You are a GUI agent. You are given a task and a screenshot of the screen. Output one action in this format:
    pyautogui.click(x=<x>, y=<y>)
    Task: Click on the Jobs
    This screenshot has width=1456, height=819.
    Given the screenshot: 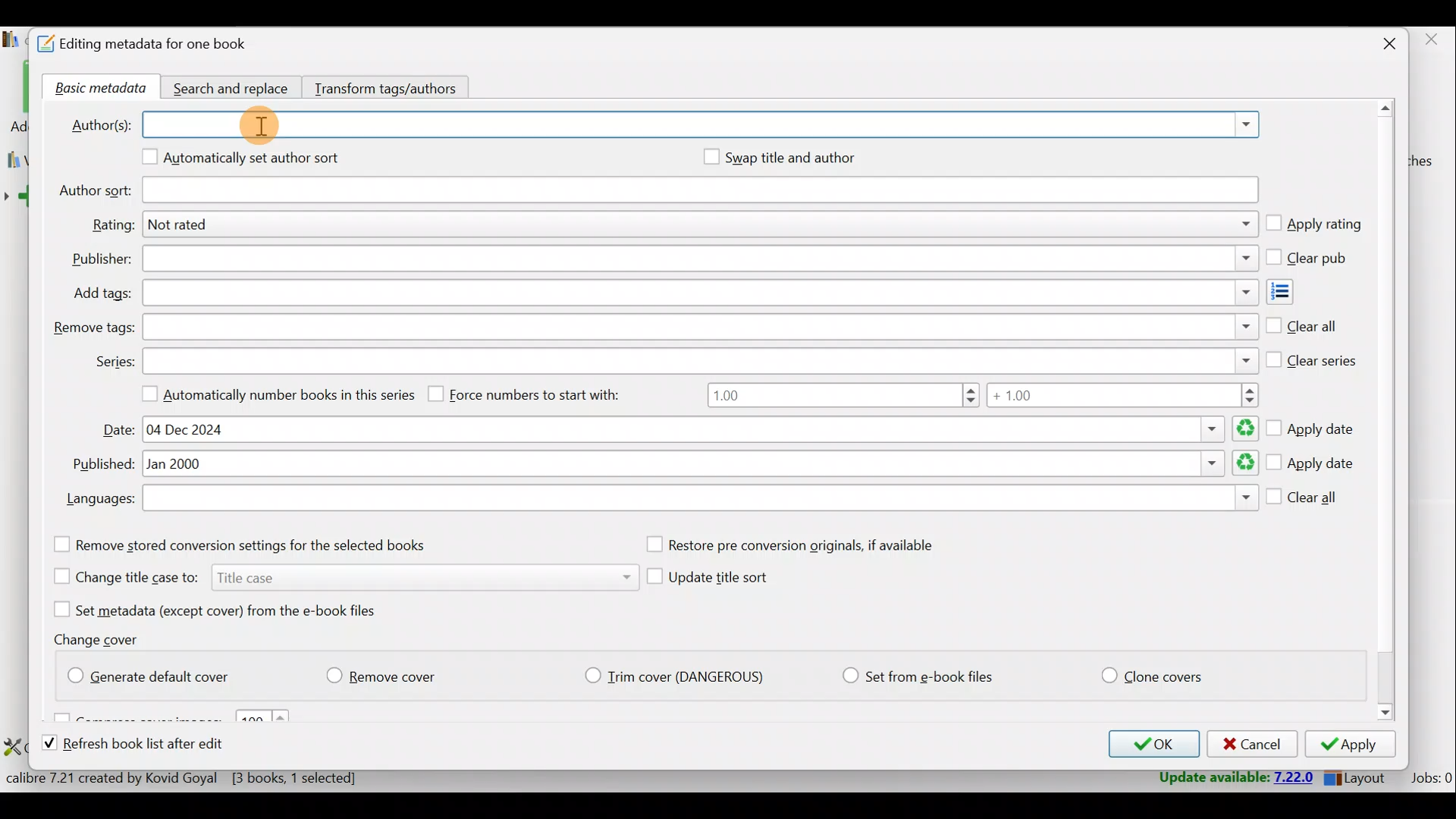 What is the action you would take?
    pyautogui.click(x=1430, y=777)
    